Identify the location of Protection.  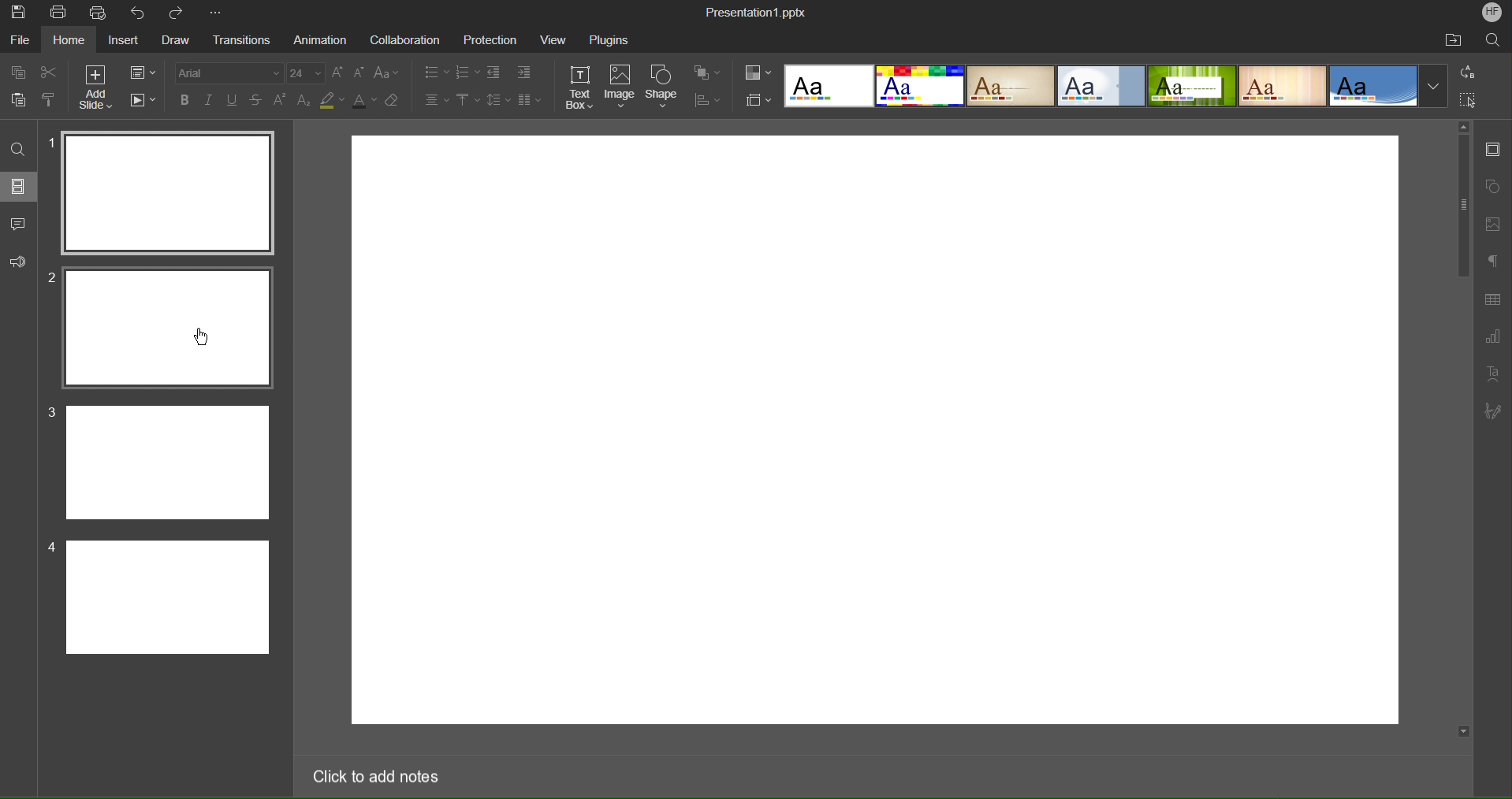
(490, 39).